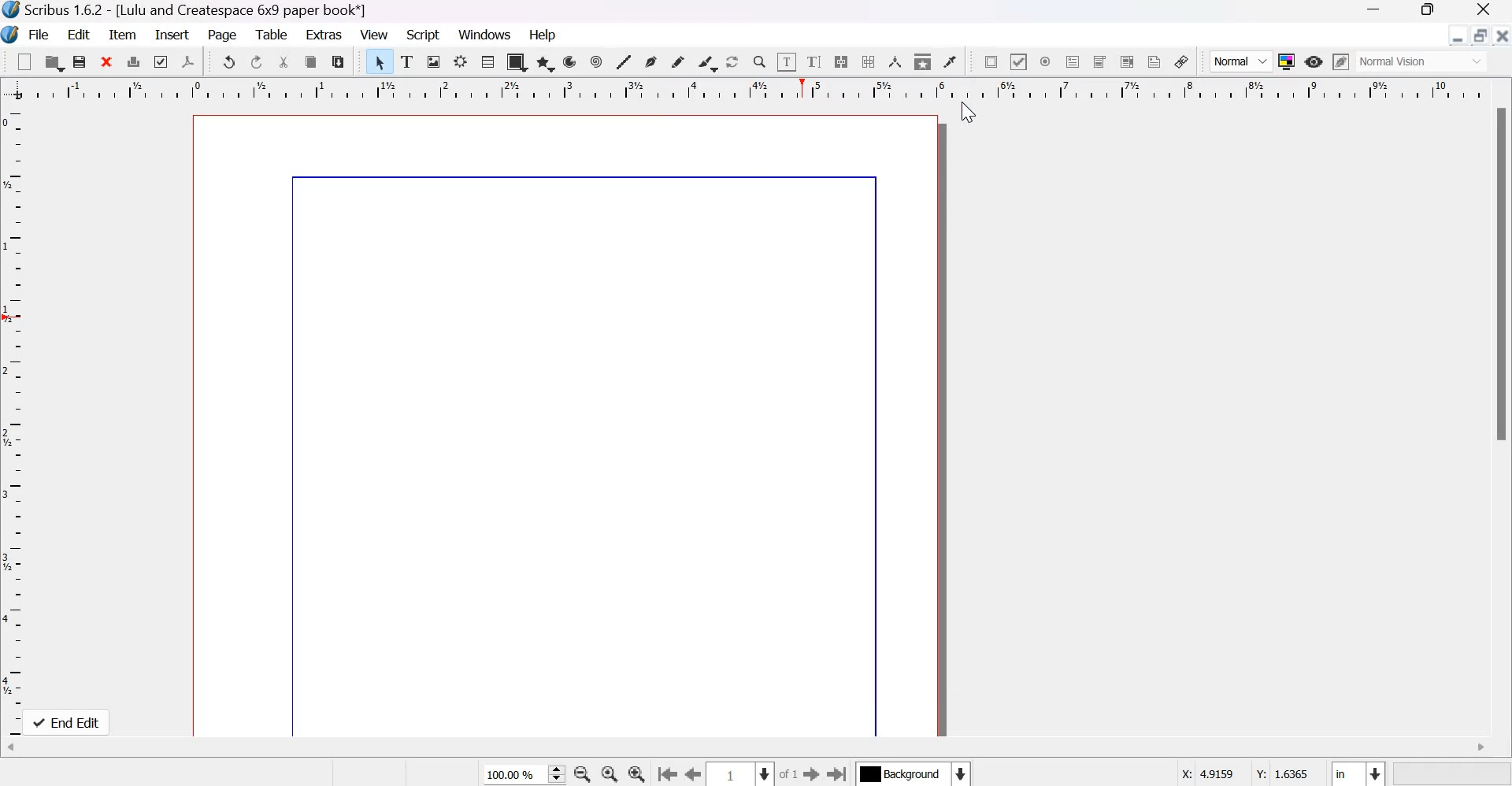 The height and width of the screenshot is (786, 1512). Describe the element at coordinates (222, 35) in the screenshot. I see `Page` at that location.